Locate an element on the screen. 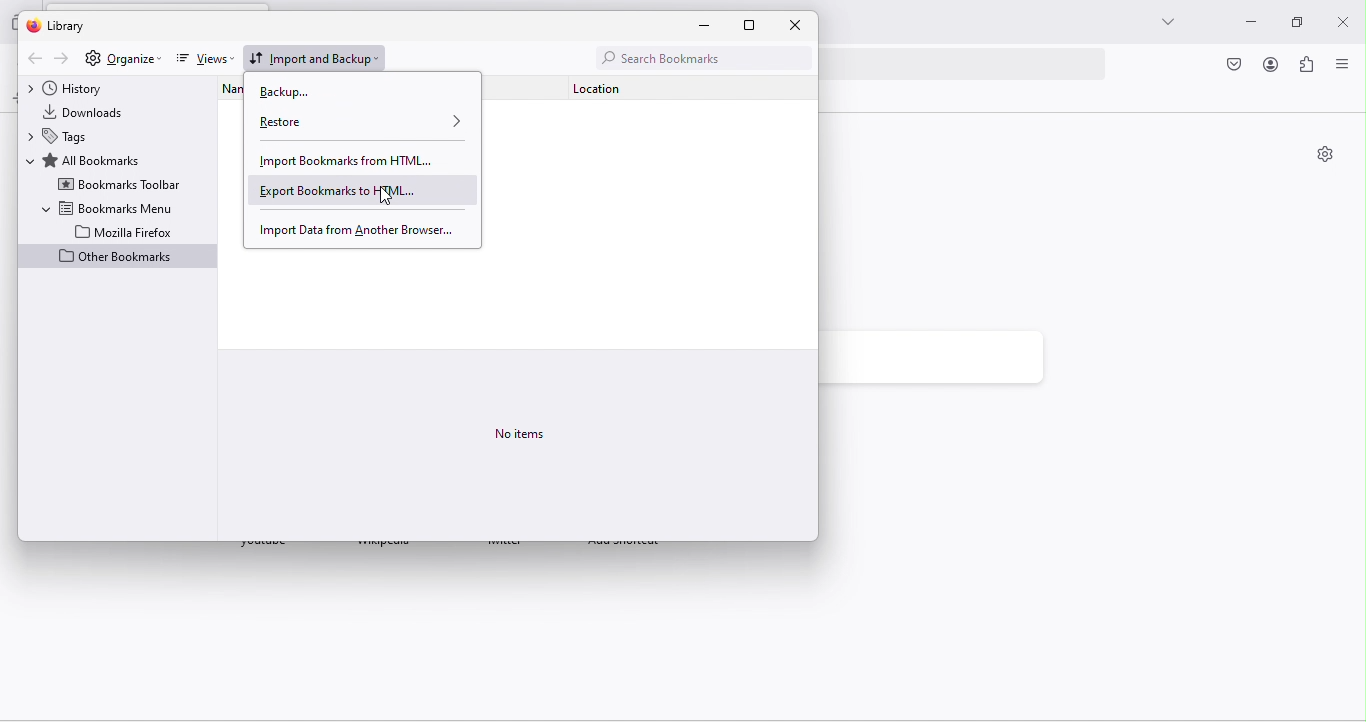 The image size is (1366, 722). tags is located at coordinates (67, 136).